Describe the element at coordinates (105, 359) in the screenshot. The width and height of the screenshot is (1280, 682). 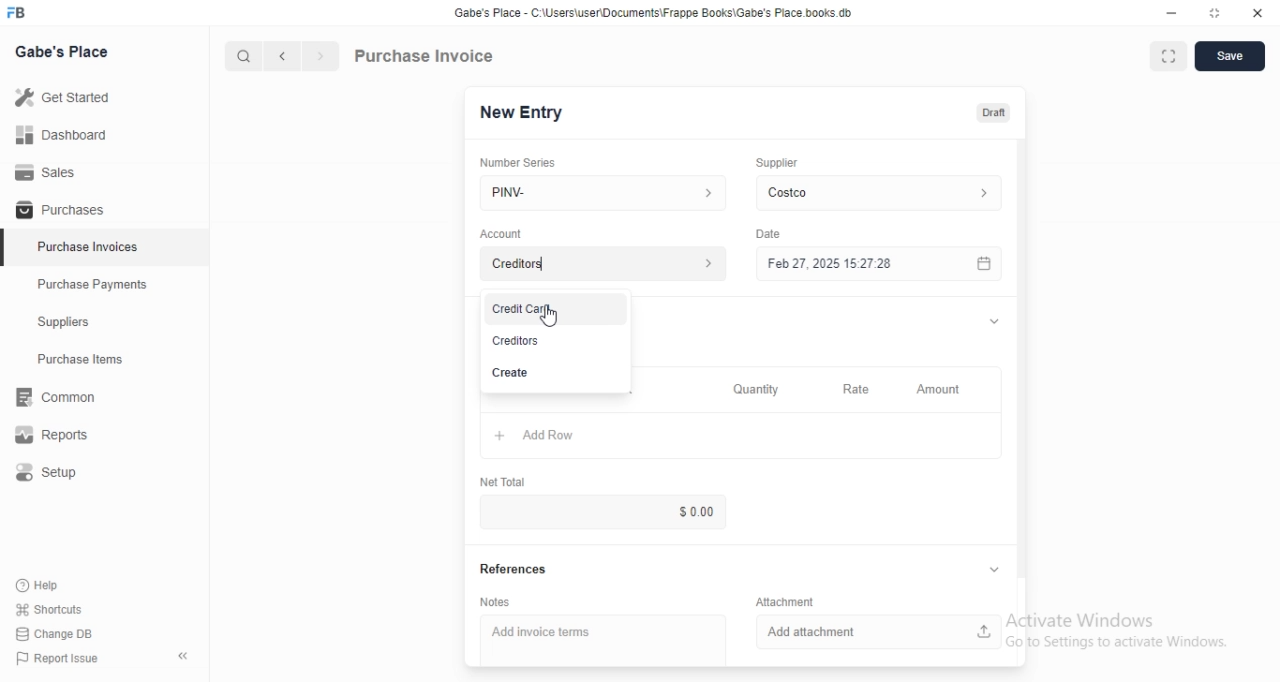
I see `Purchase Items` at that location.